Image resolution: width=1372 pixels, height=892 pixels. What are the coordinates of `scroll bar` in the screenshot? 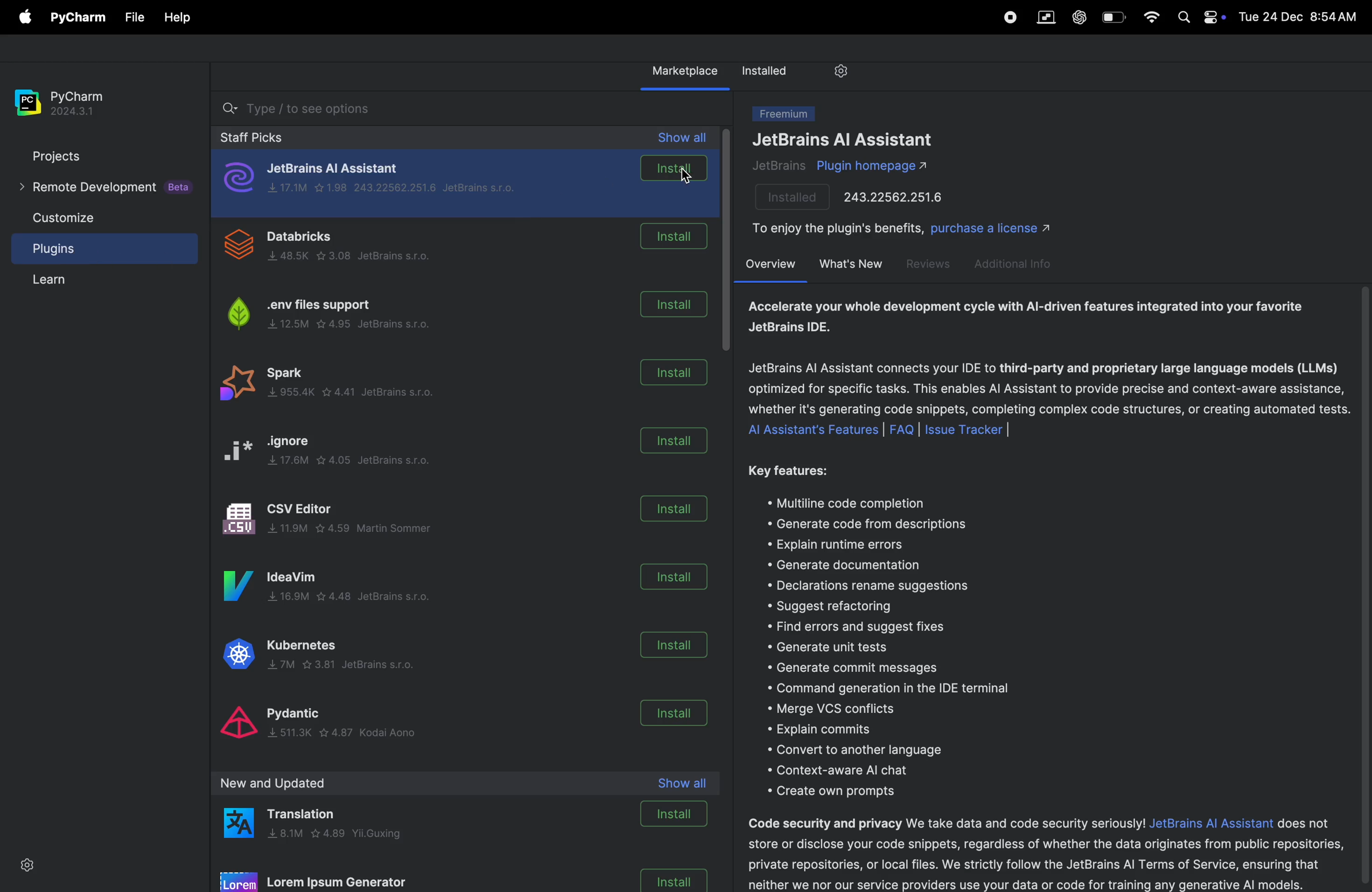 It's located at (725, 243).